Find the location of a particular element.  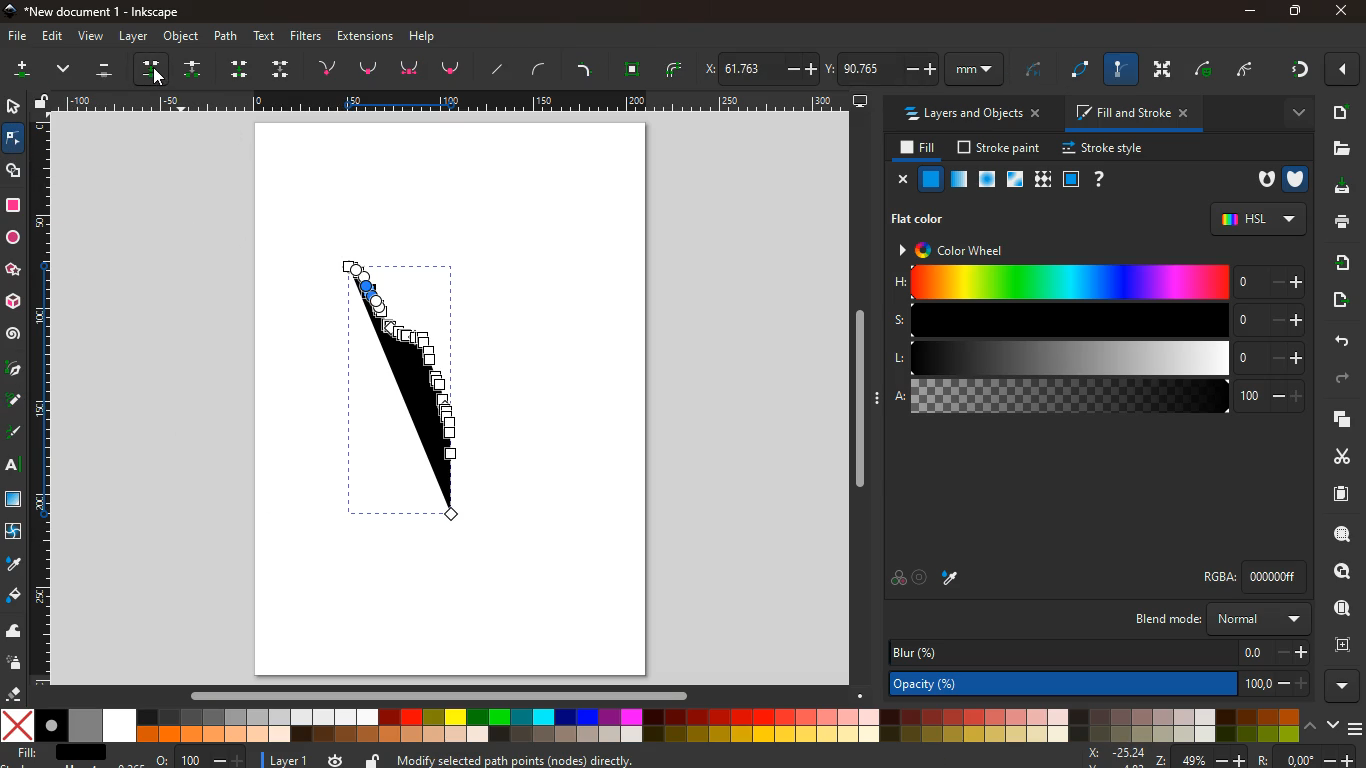

stroke paint is located at coordinates (1001, 147).